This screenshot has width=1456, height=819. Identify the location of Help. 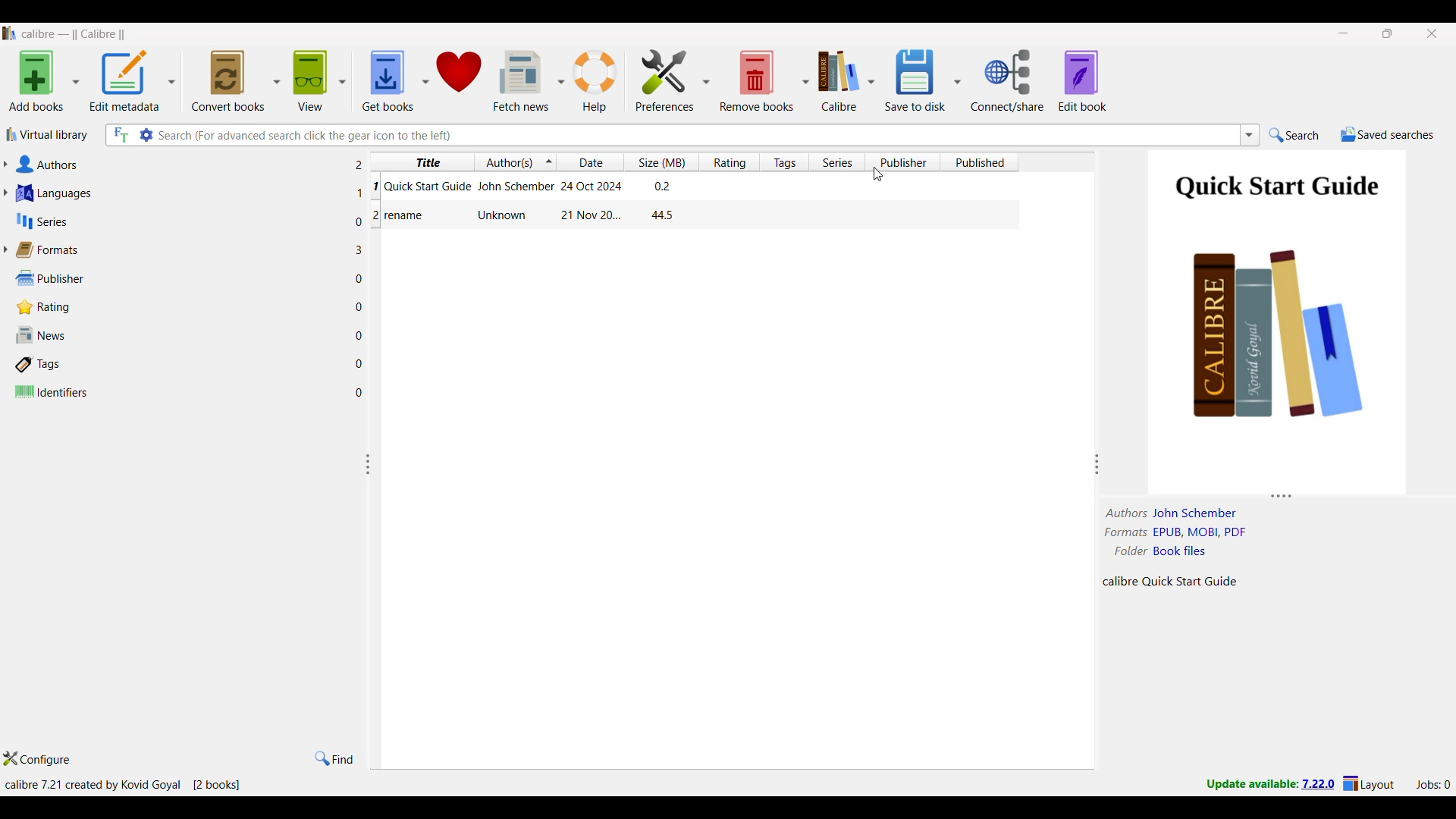
(595, 81).